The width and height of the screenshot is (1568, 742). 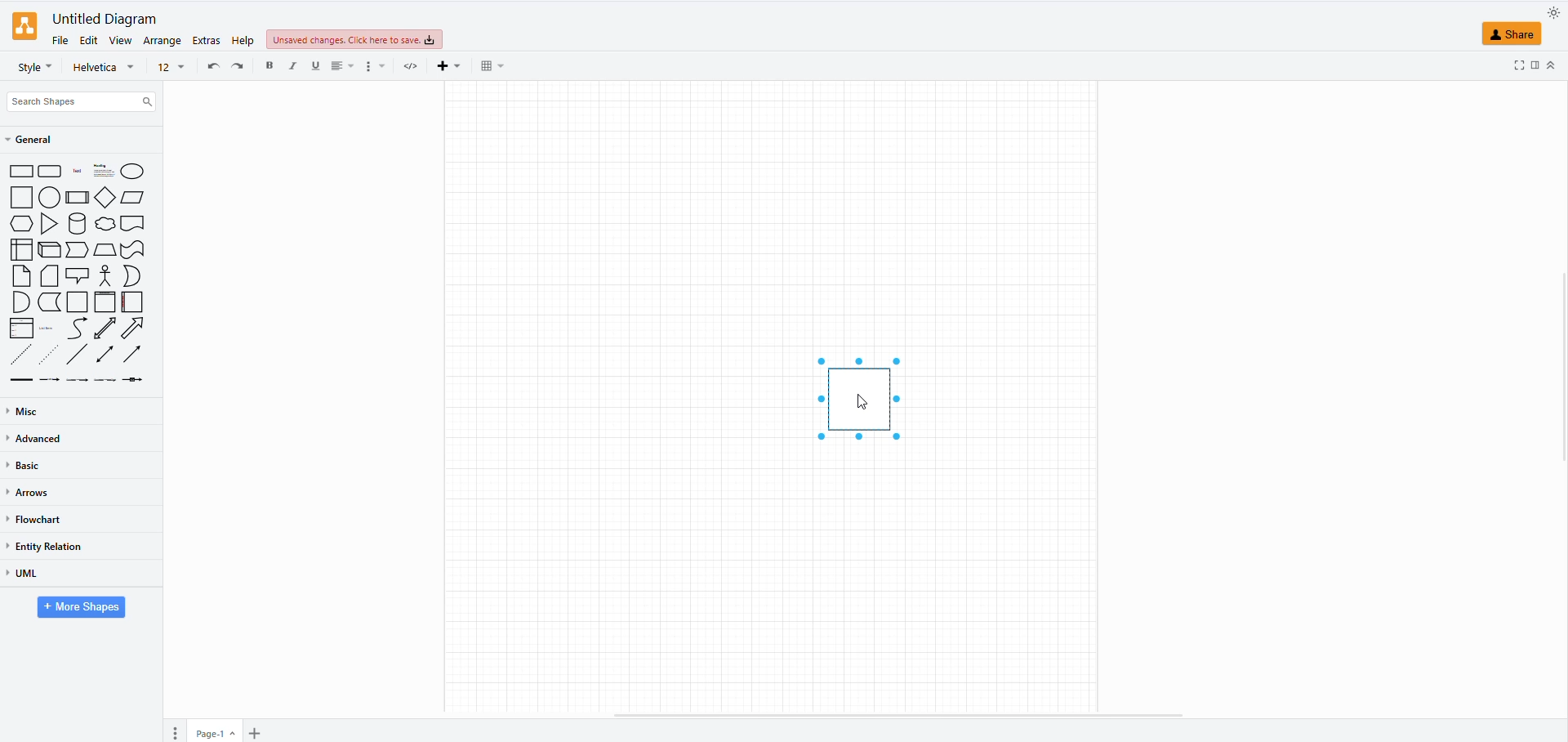 I want to click on help, so click(x=243, y=38).